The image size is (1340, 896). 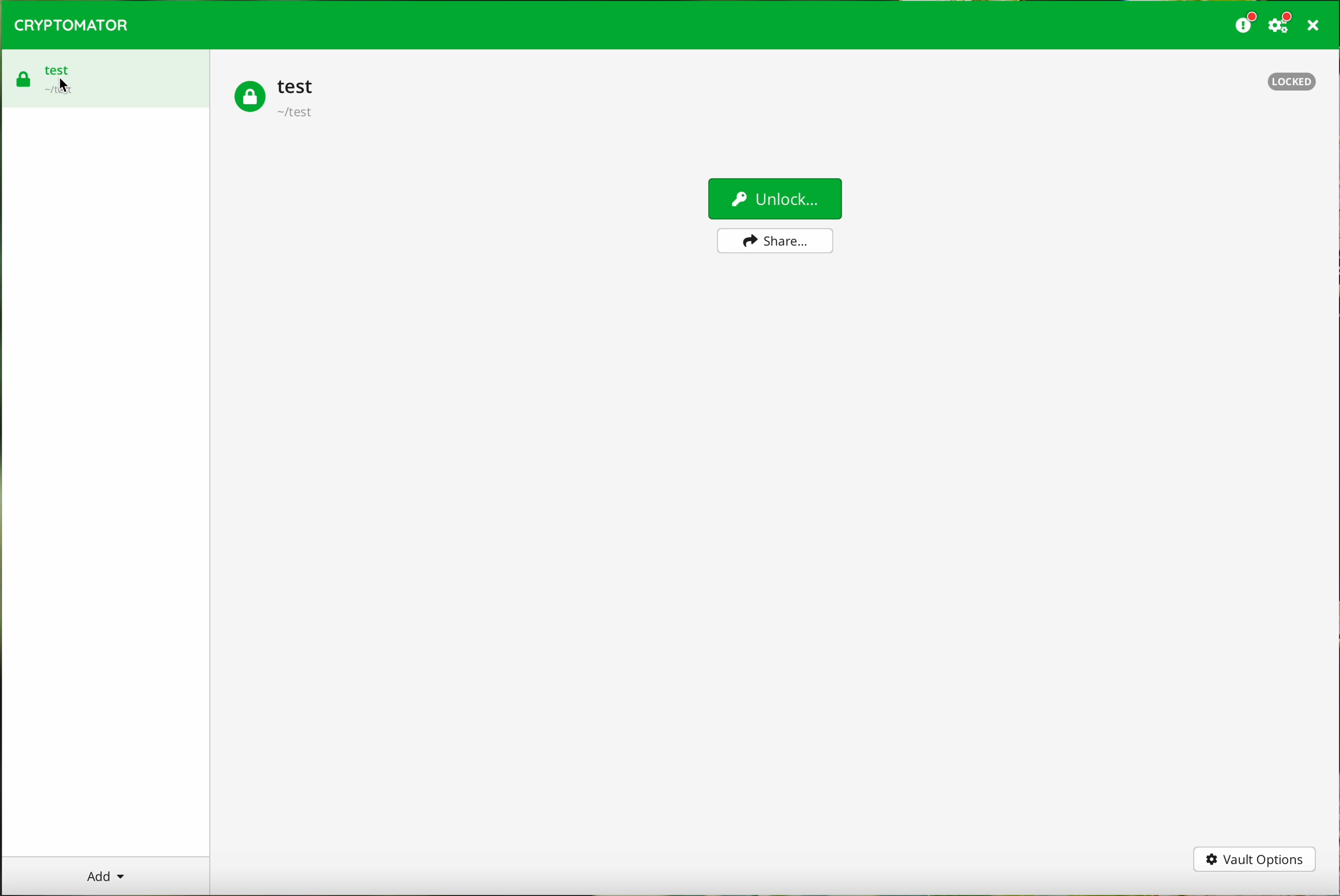 What do you see at coordinates (105, 875) in the screenshot?
I see `add button` at bounding box center [105, 875].